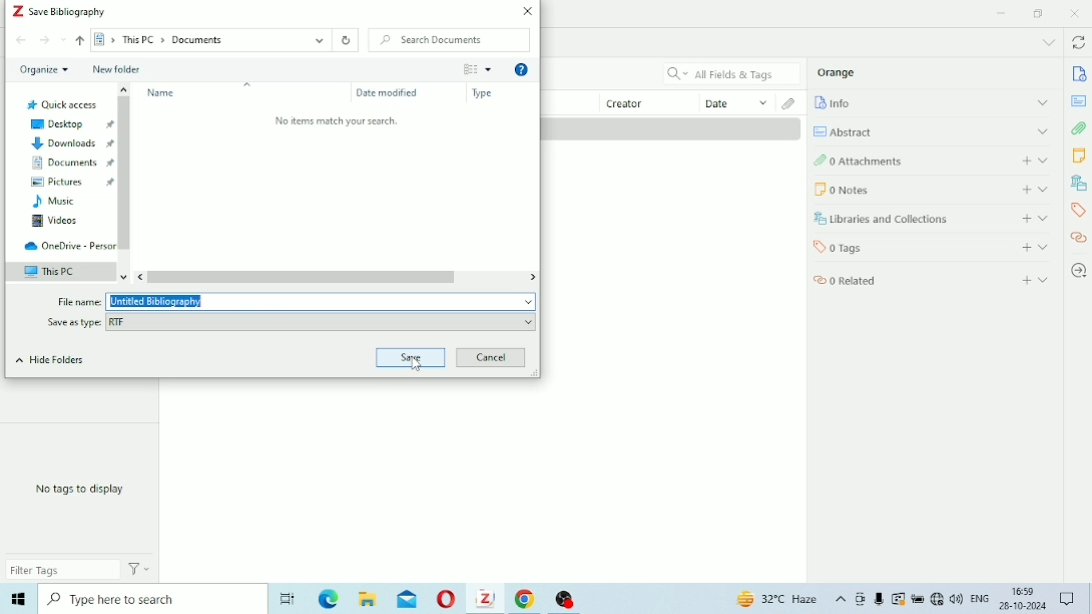 The image size is (1092, 614). Describe the element at coordinates (879, 599) in the screenshot. I see `Mic` at that location.